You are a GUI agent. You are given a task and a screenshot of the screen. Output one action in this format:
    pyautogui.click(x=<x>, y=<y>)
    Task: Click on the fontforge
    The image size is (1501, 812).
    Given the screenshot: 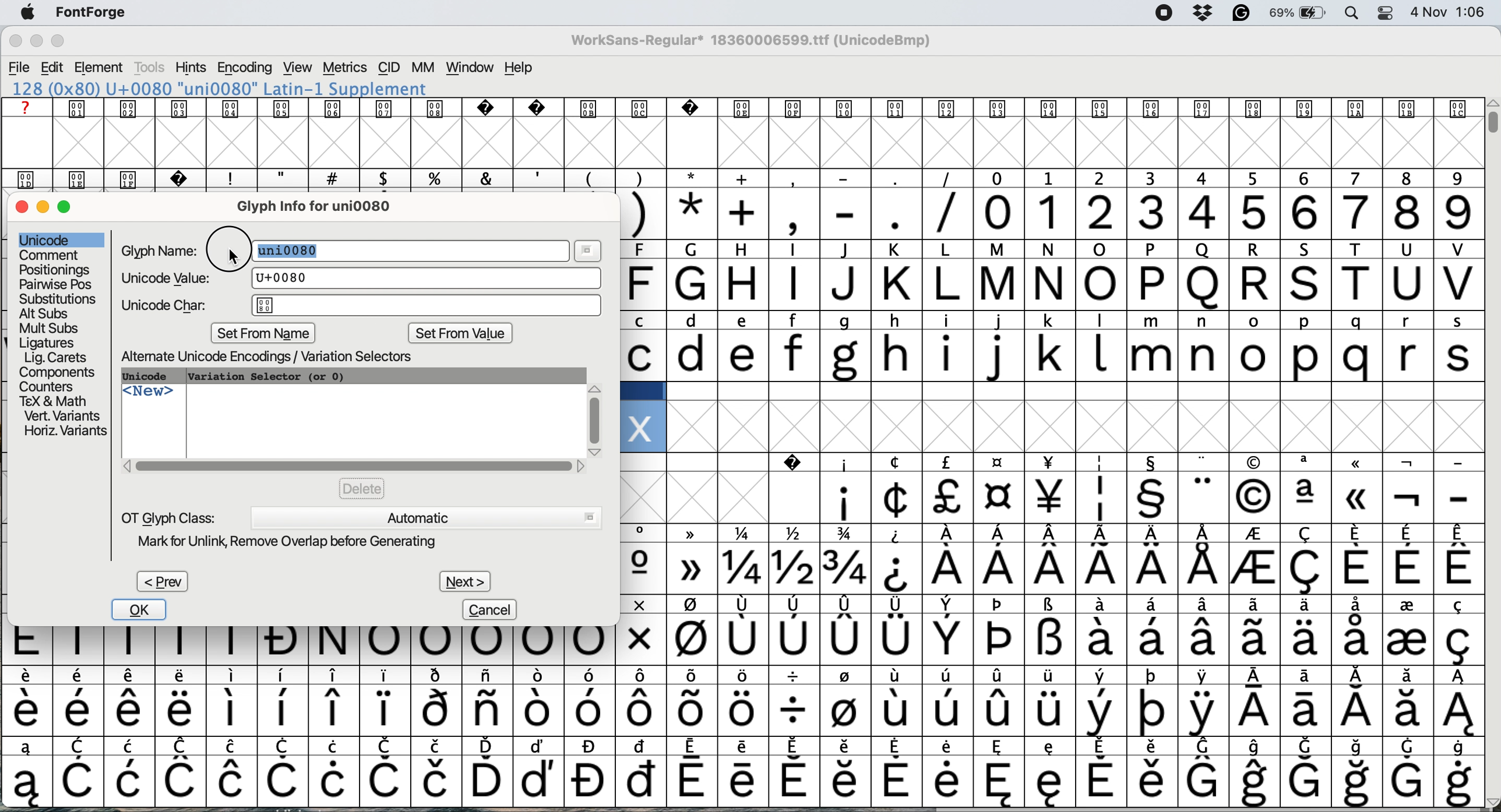 What is the action you would take?
    pyautogui.click(x=96, y=15)
    